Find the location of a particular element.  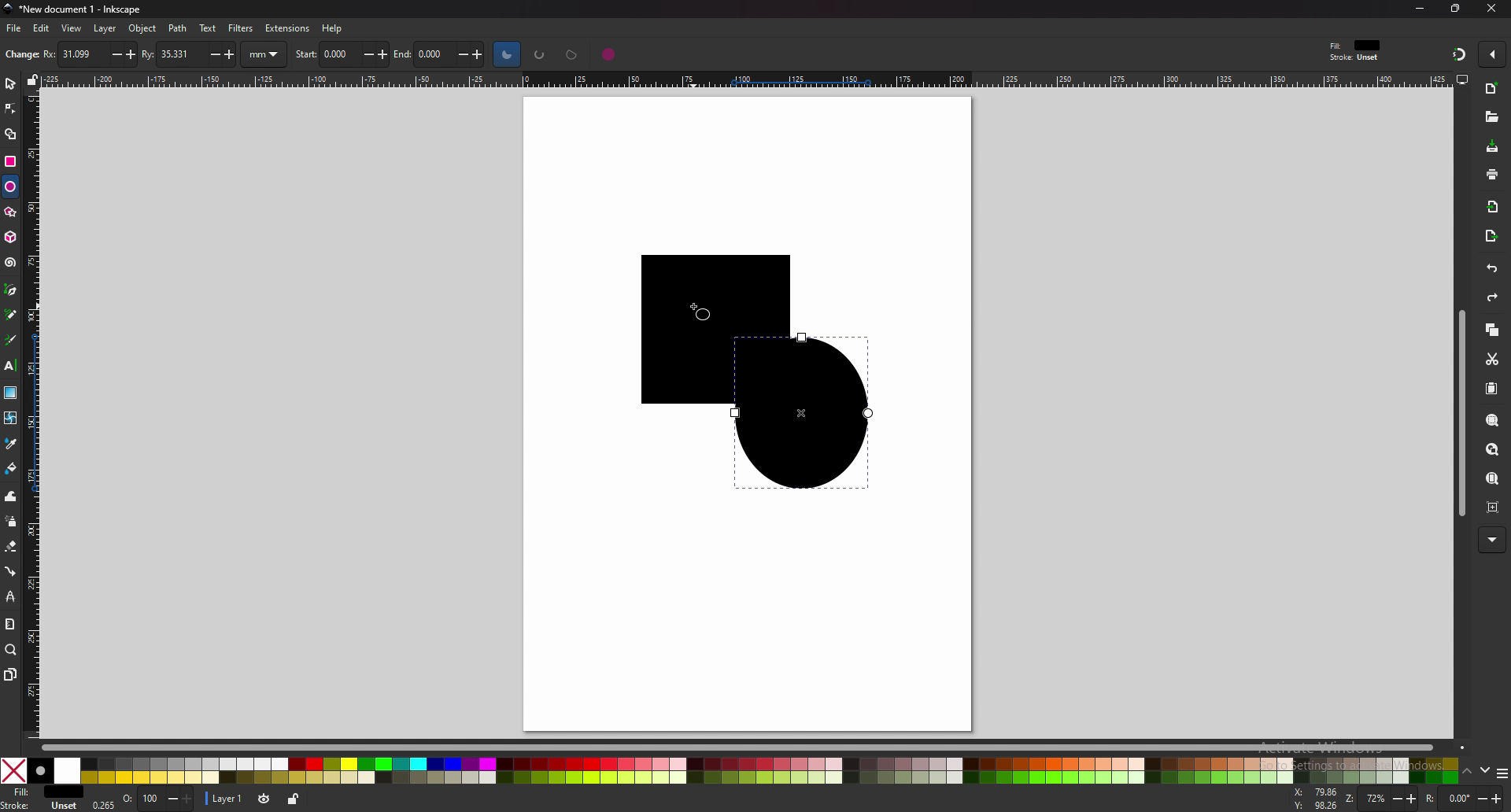

view is located at coordinates (72, 28).